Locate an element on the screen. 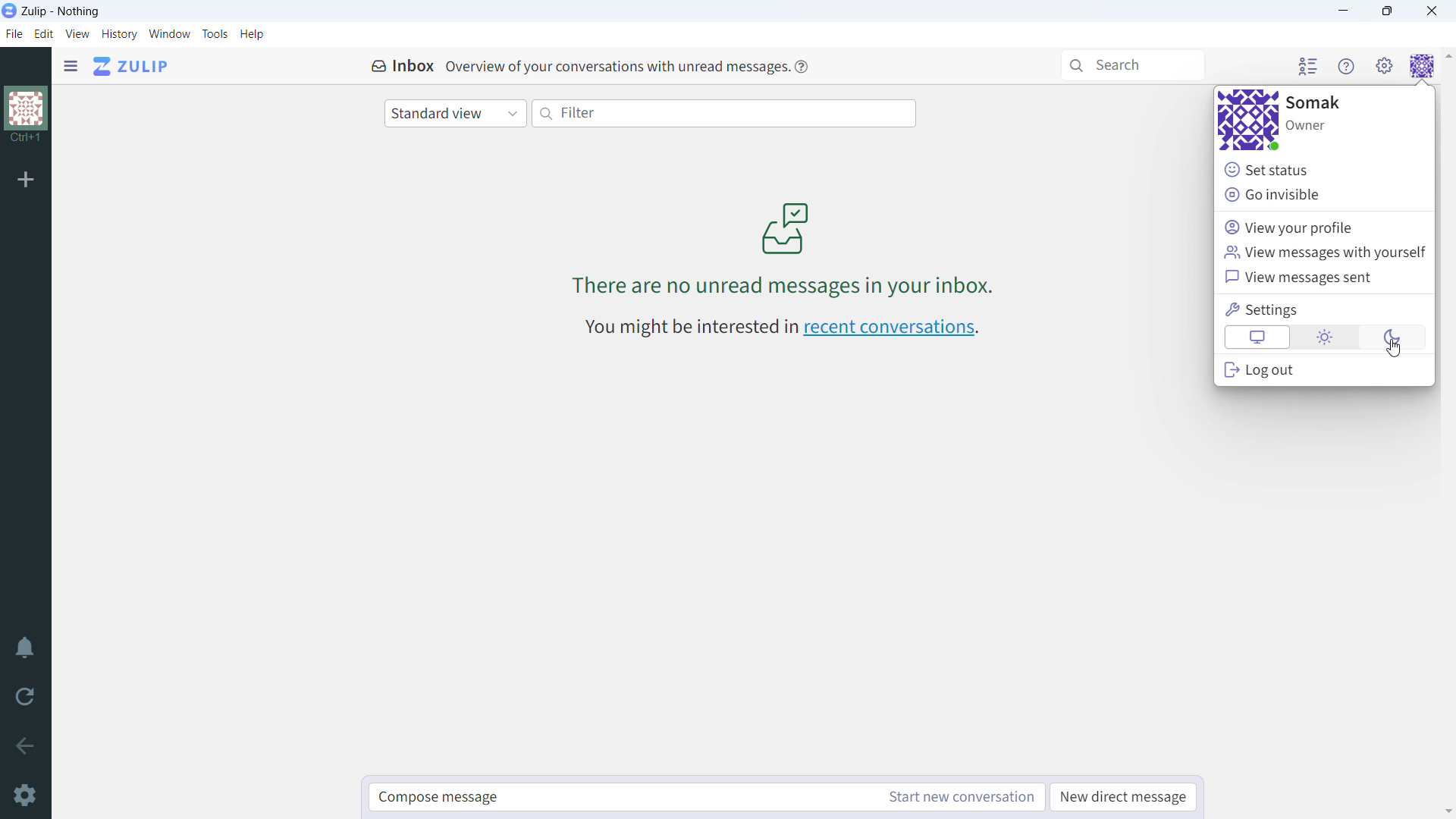  search is located at coordinates (1133, 65).